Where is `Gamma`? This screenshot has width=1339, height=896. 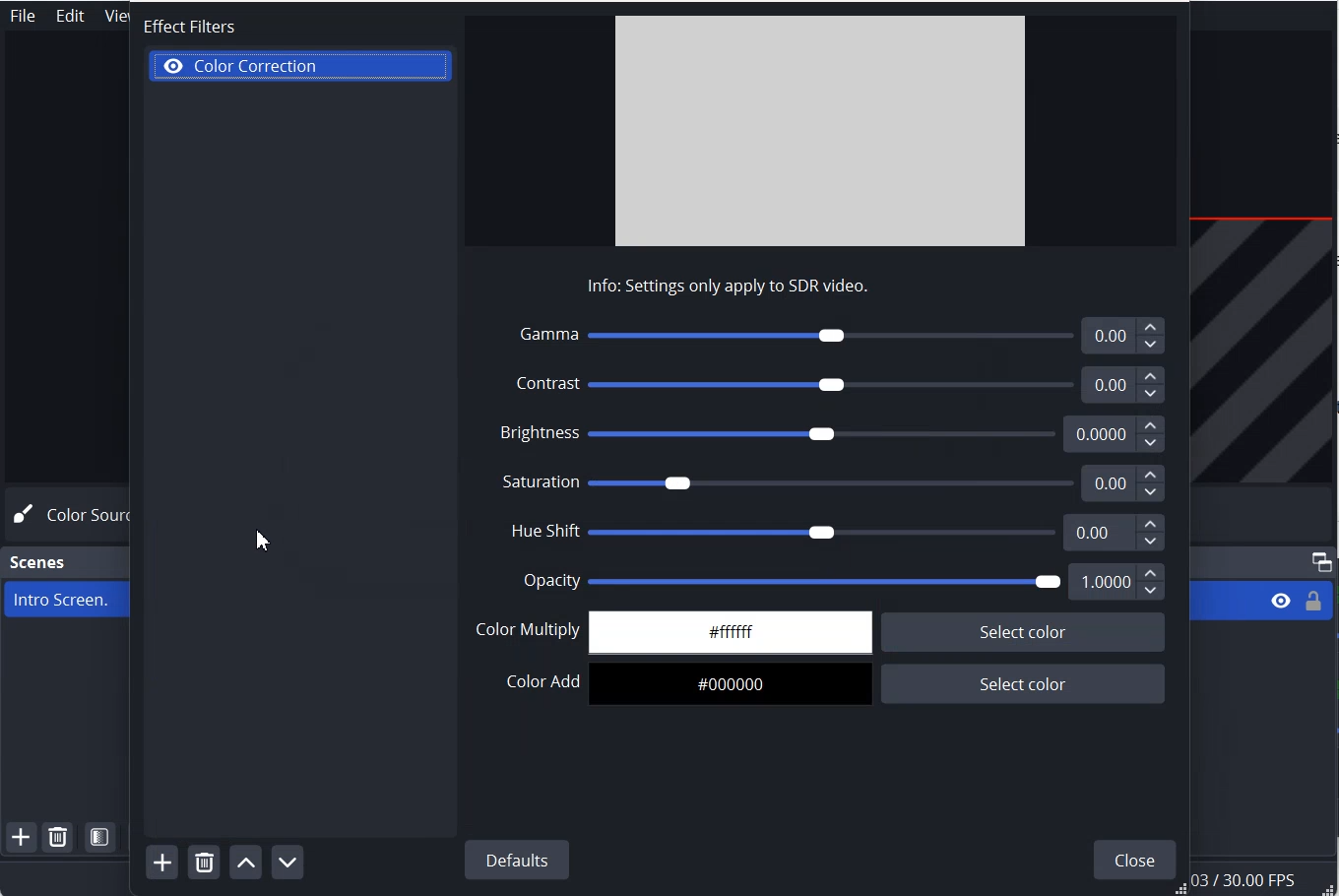
Gamma is located at coordinates (833, 333).